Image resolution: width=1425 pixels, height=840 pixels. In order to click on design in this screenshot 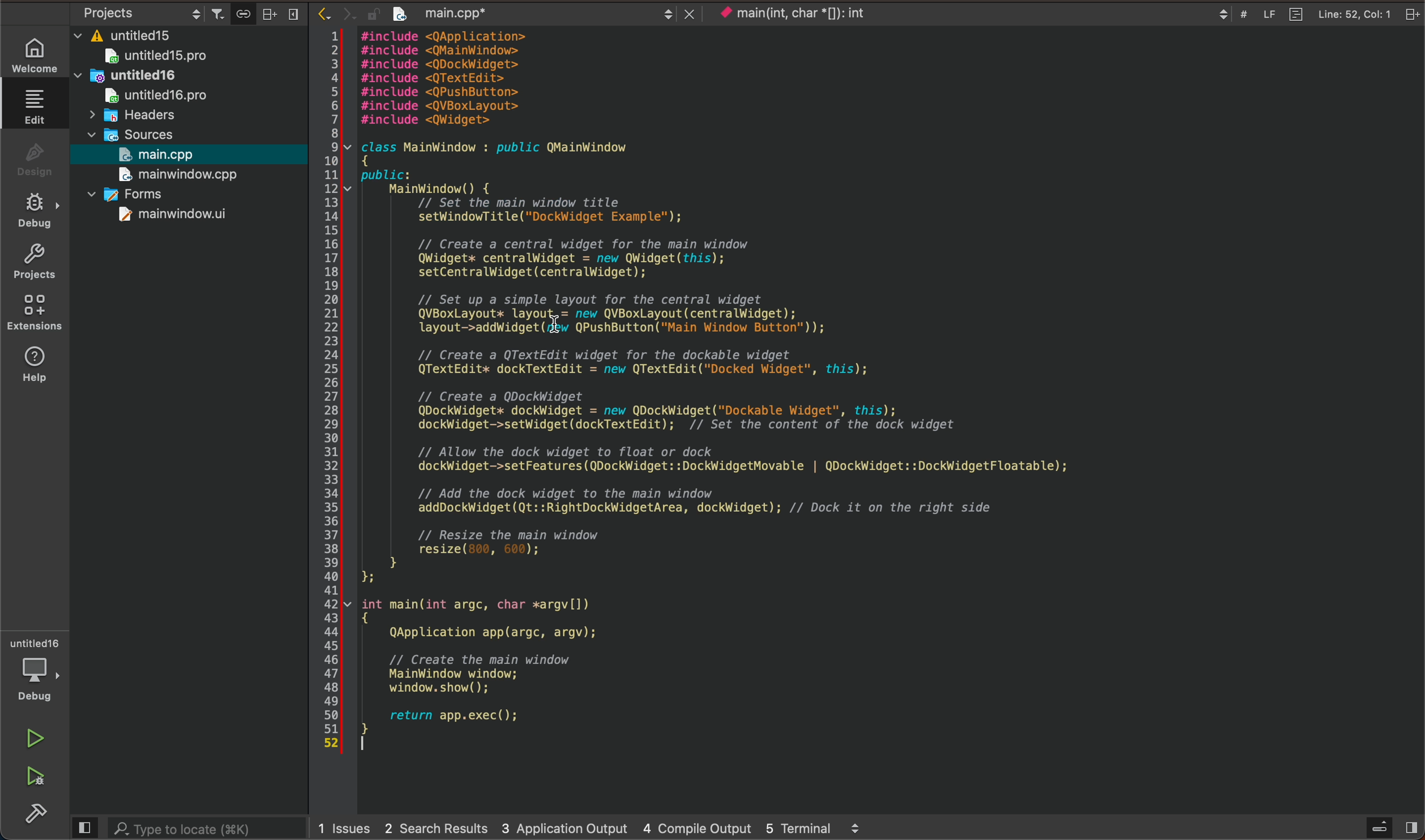, I will do `click(33, 156)`.